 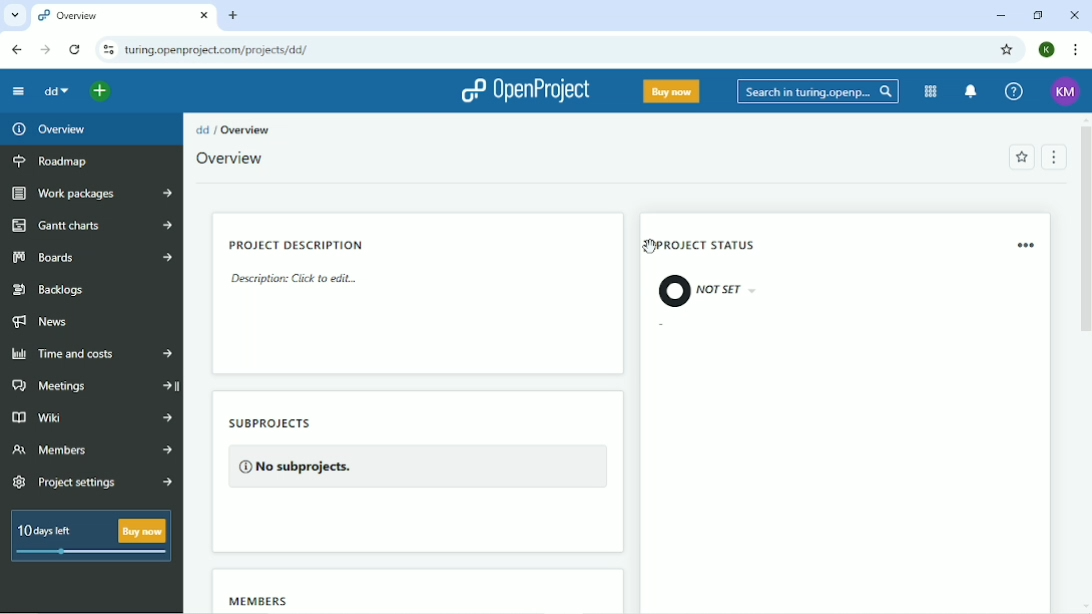 I want to click on New tab, so click(x=233, y=15).